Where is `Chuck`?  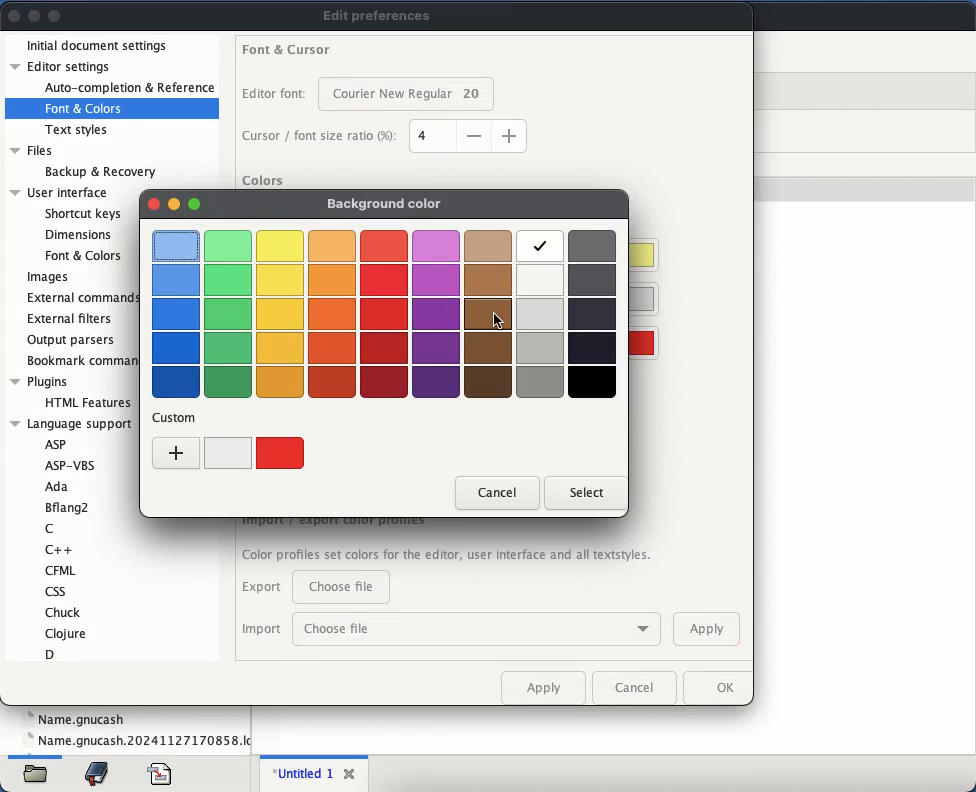 Chuck is located at coordinates (61, 611).